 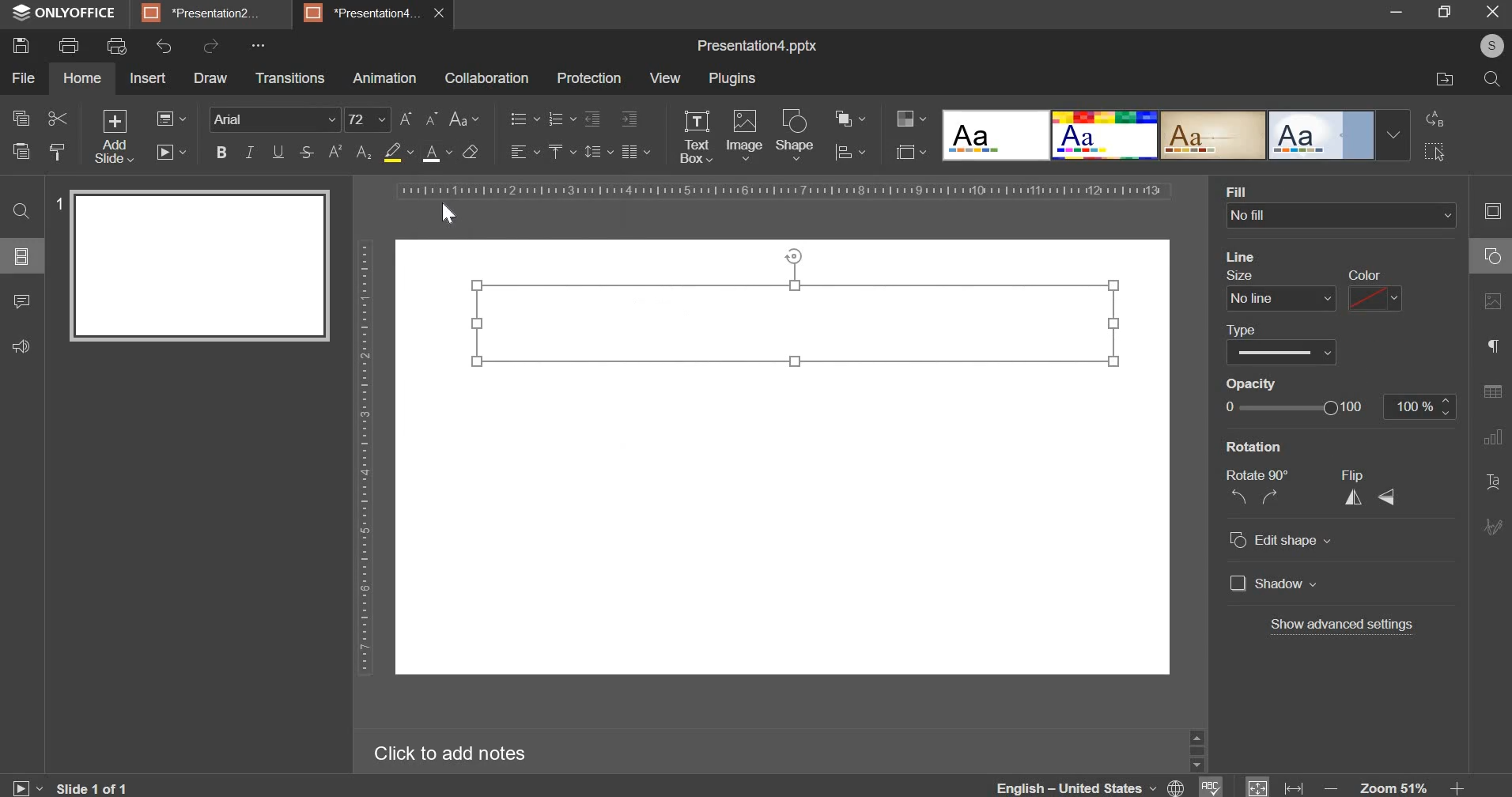 I want to click on paragraph settings, so click(x=634, y=152).